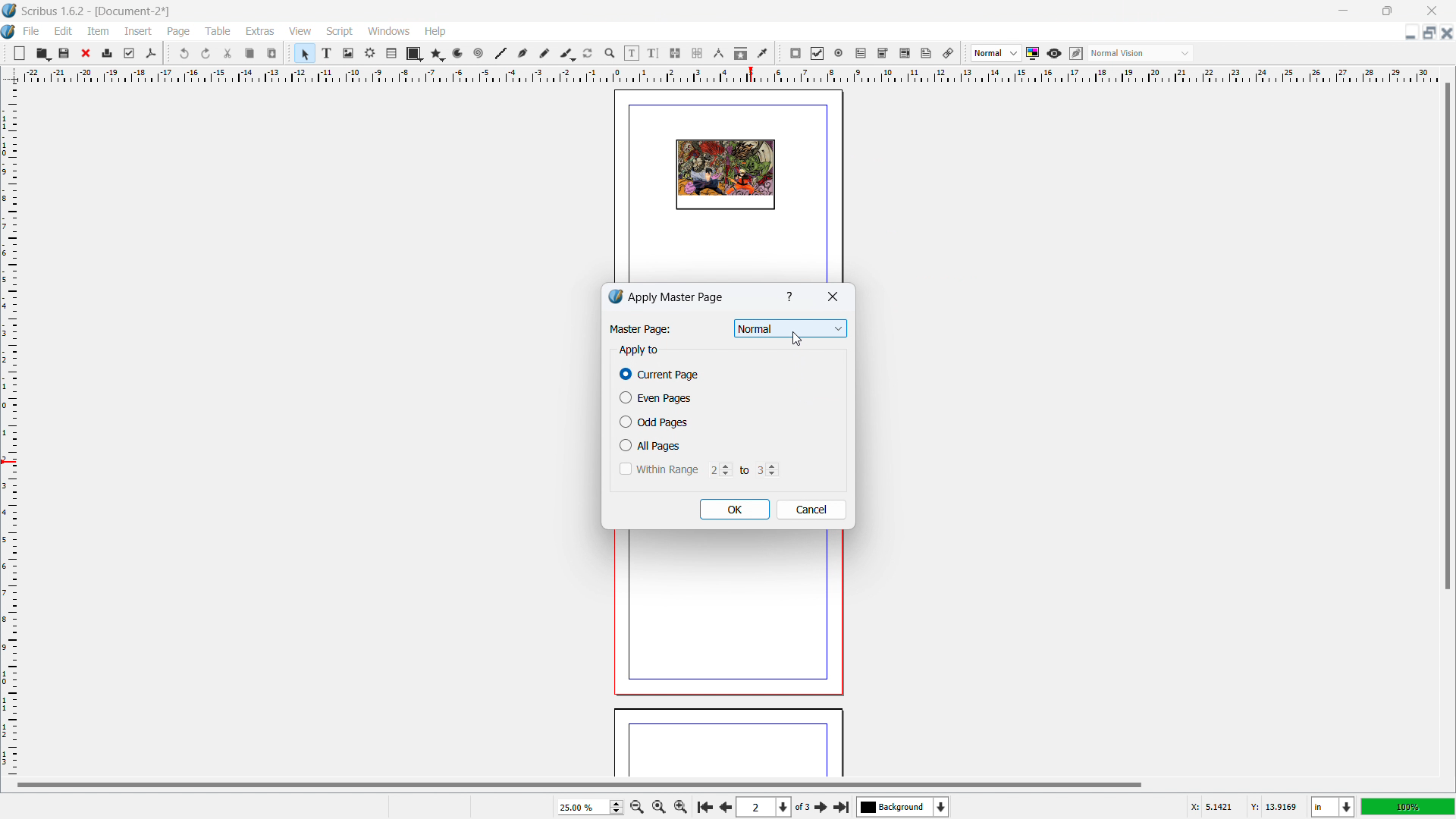  What do you see at coordinates (795, 53) in the screenshot?
I see `pdf push button` at bounding box center [795, 53].